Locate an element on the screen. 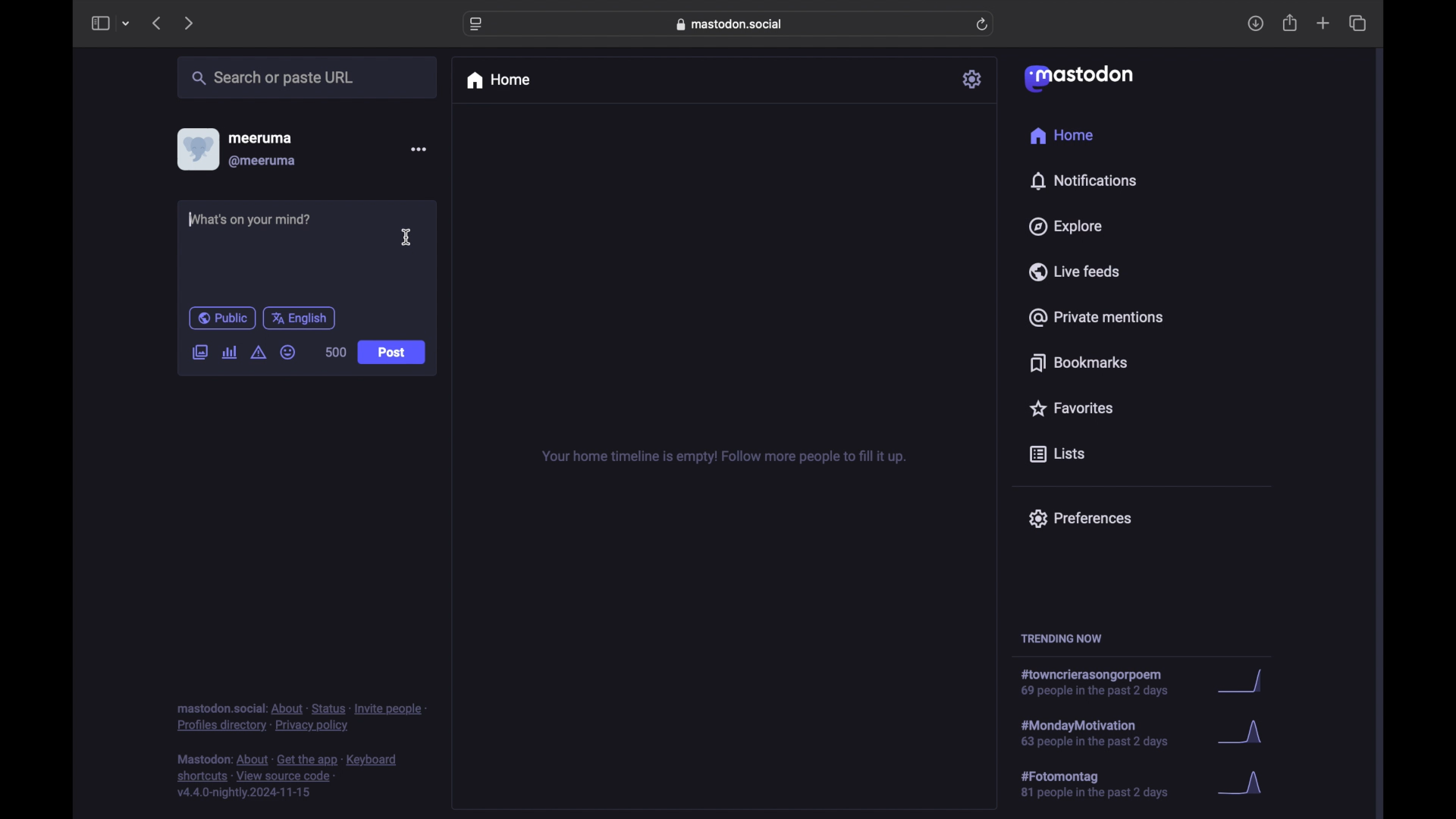 Image resolution: width=1456 pixels, height=819 pixels. website settings is located at coordinates (478, 24).